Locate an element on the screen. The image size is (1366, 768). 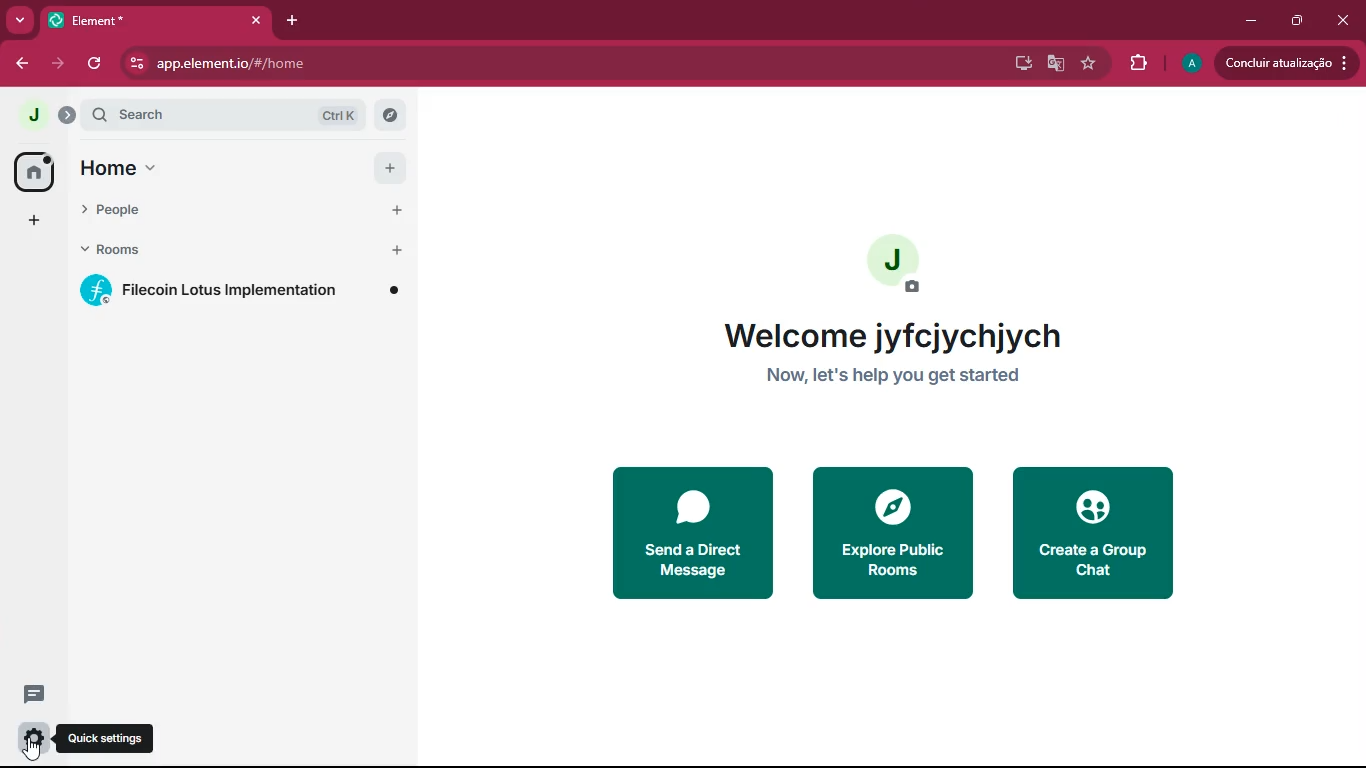
minimize is located at coordinates (1252, 19).